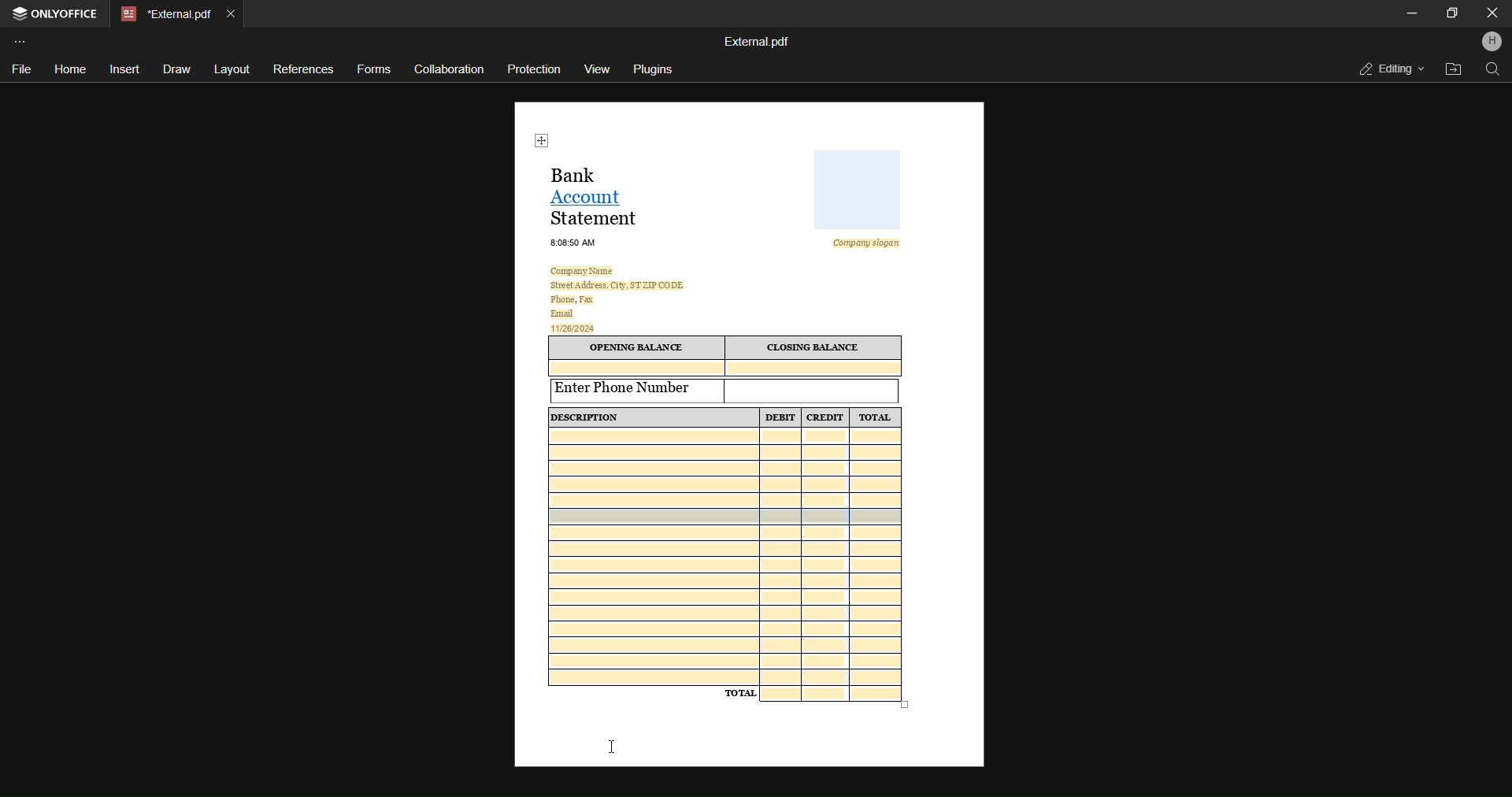 The image size is (1512, 797). What do you see at coordinates (835, 695) in the screenshot?
I see `Fields` at bounding box center [835, 695].